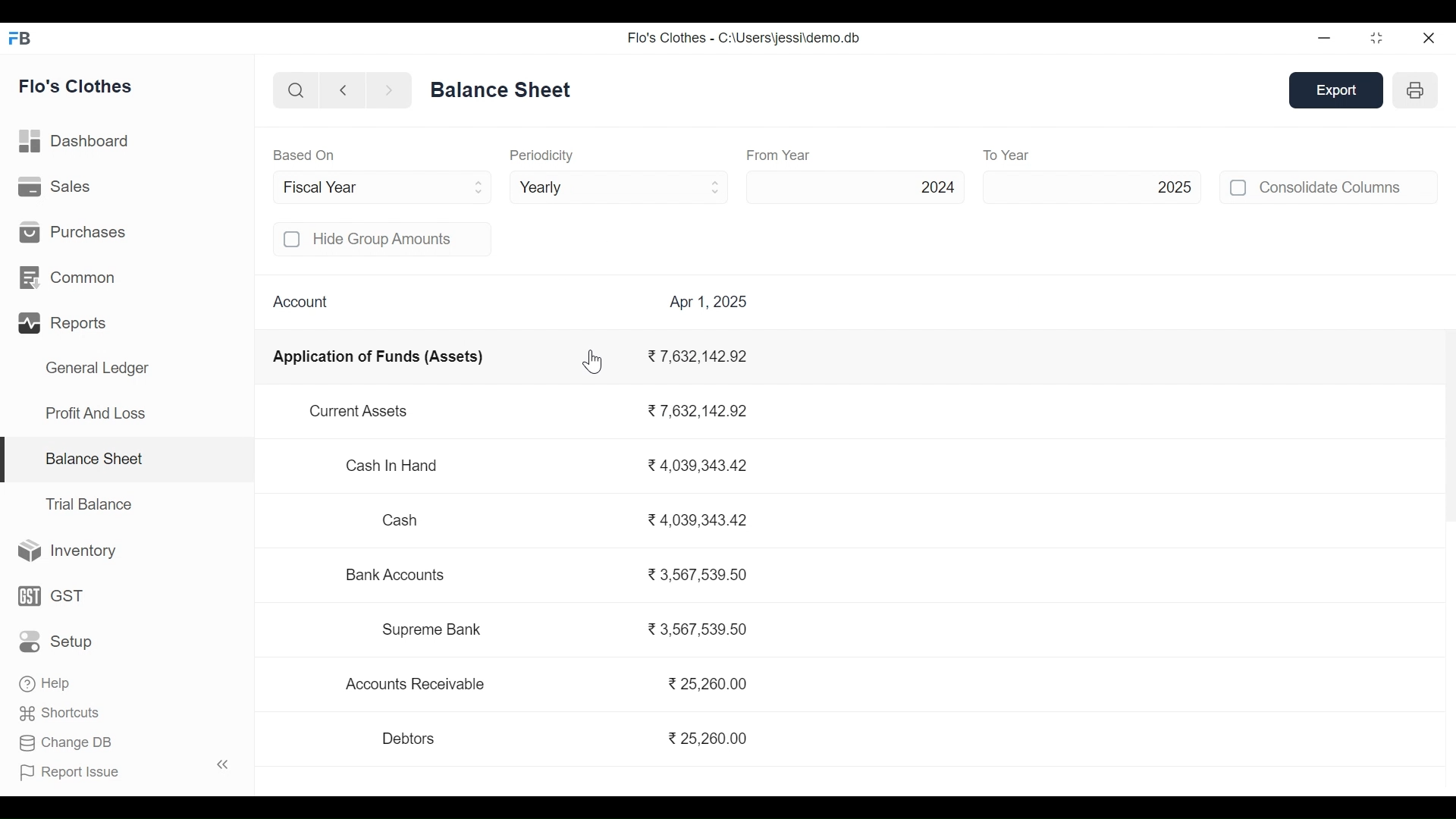  Describe the element at coordinates (293, 240) in the screenshot. I see `checkbox` at that location.